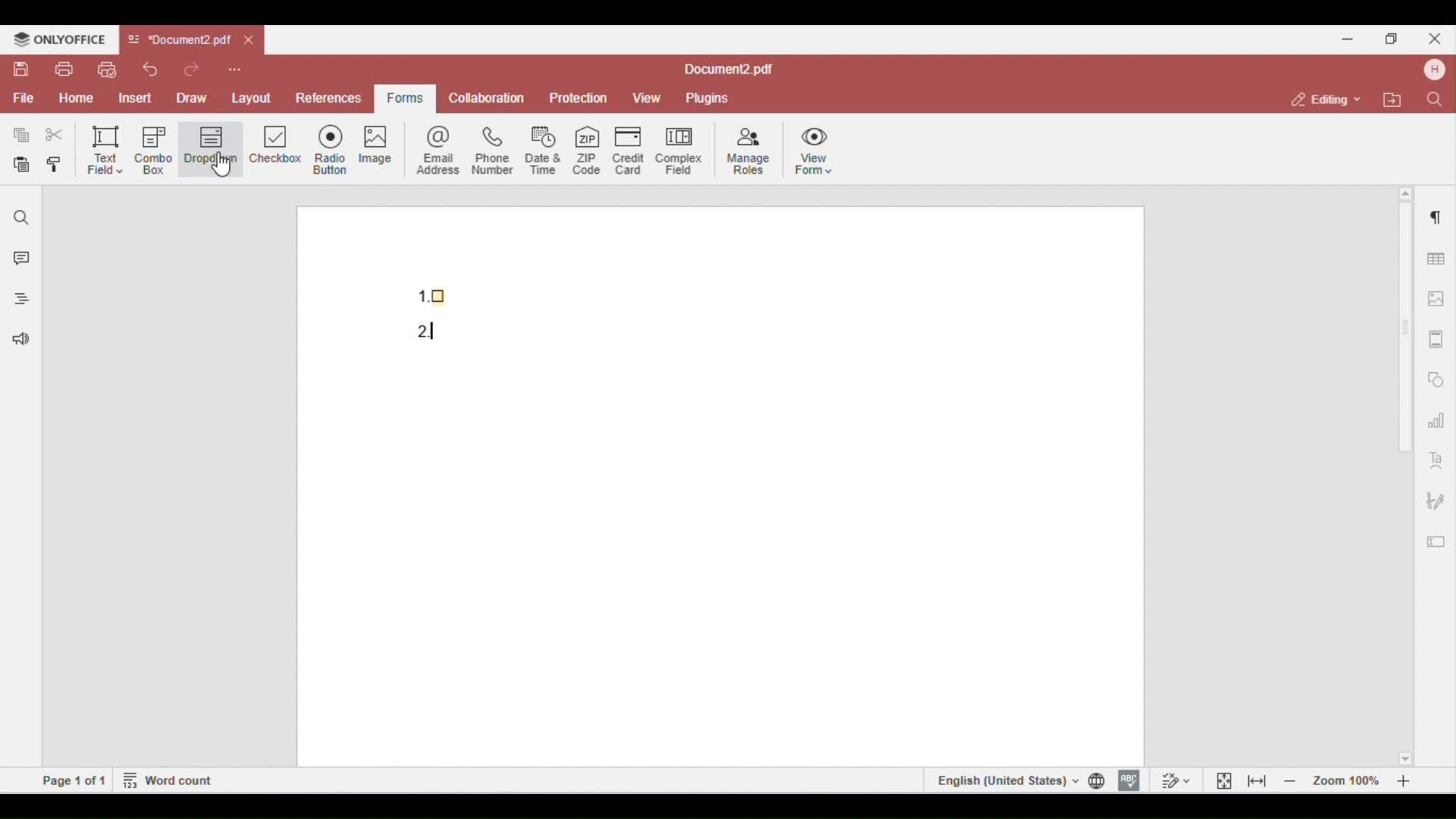  Describe the element at coordinates (64, 69) in the screenshot. I see `print` at that location.